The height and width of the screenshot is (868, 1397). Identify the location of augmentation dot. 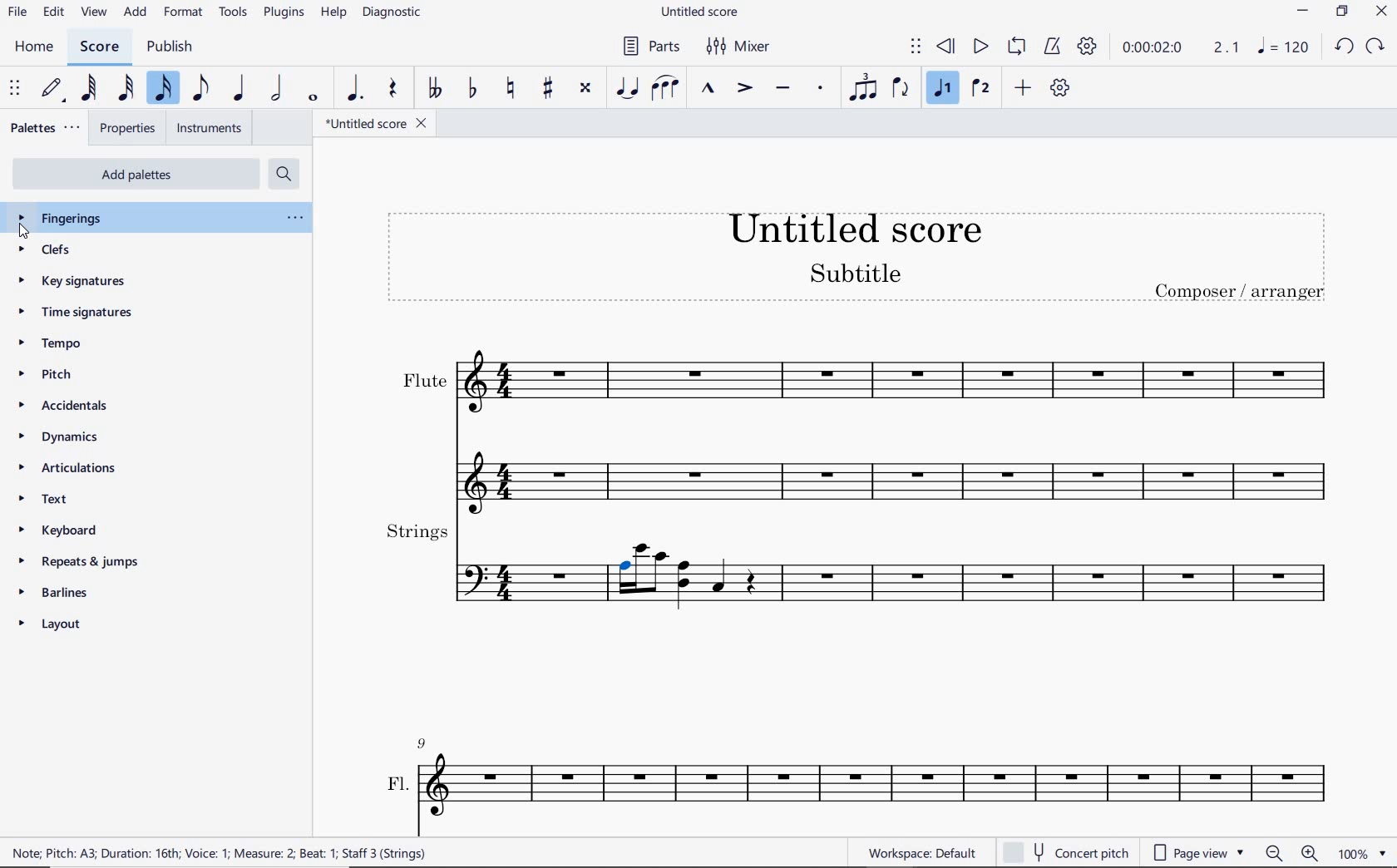
(358, 86).